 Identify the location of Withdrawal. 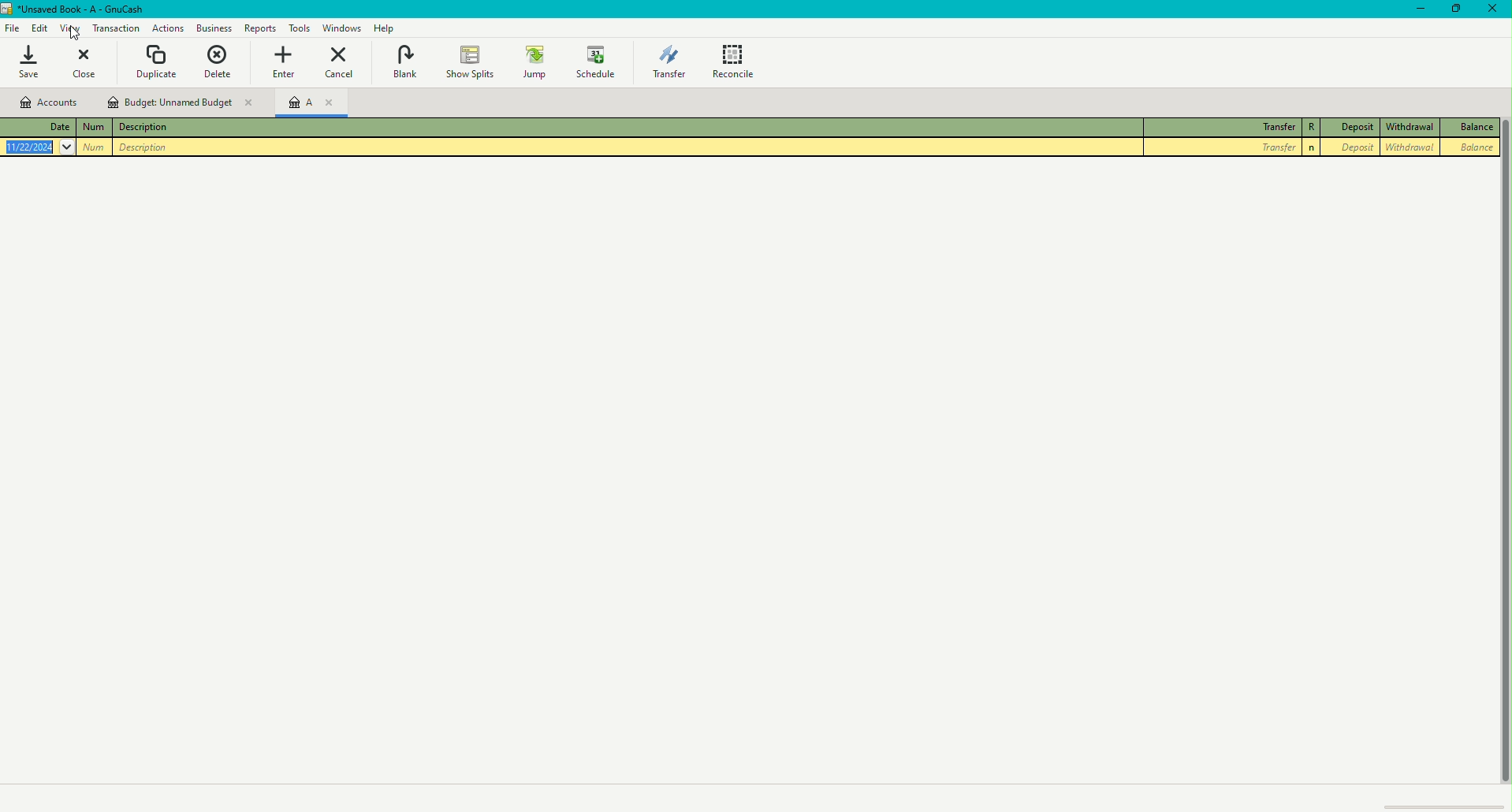
(1410, 147).